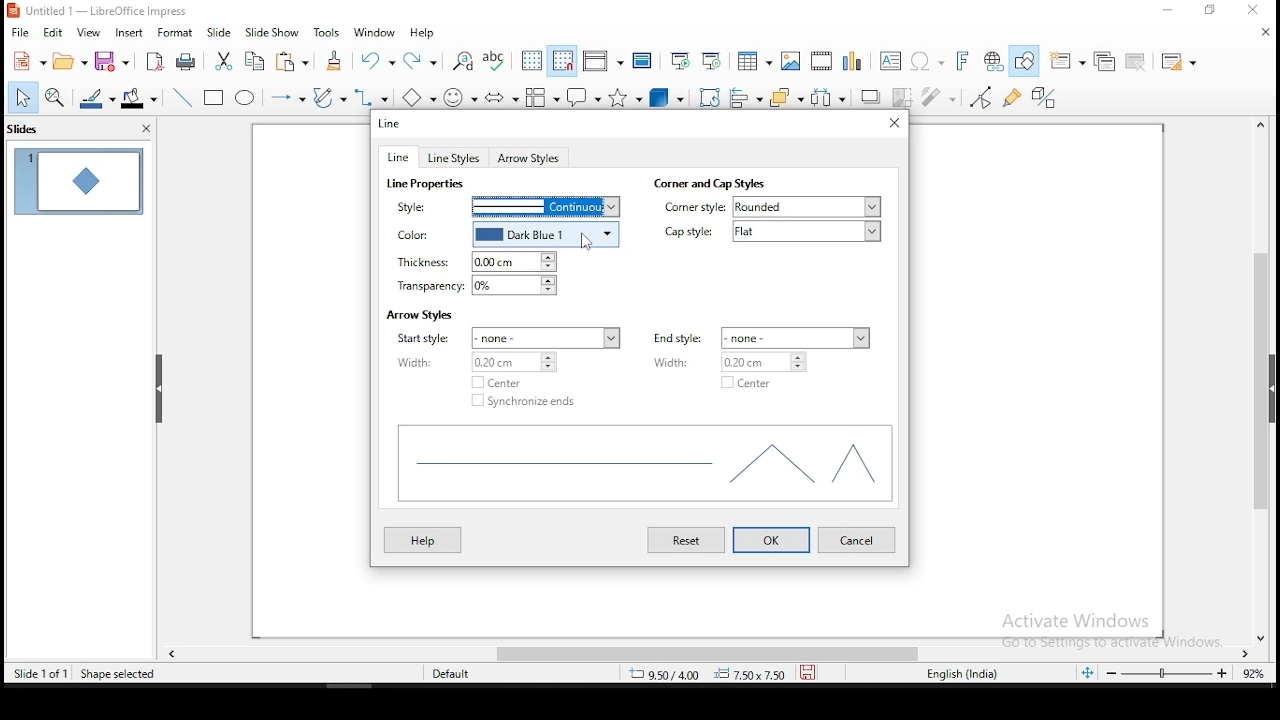 The width and height of the screenshot is (1280, 720). What do you see at coordinates (857, 59) in the screenshot?
I see `charts` at bounding box center [857, 59].